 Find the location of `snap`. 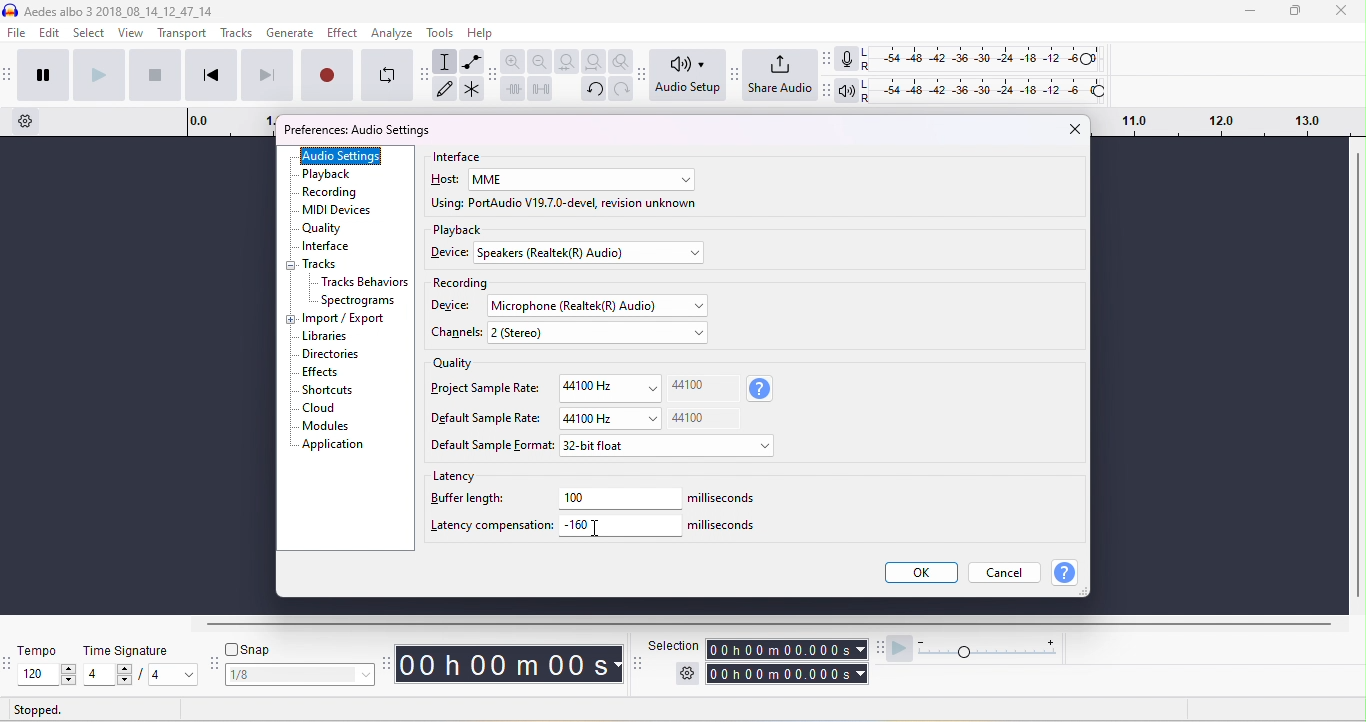

snap is located at coordinates (251, 649).